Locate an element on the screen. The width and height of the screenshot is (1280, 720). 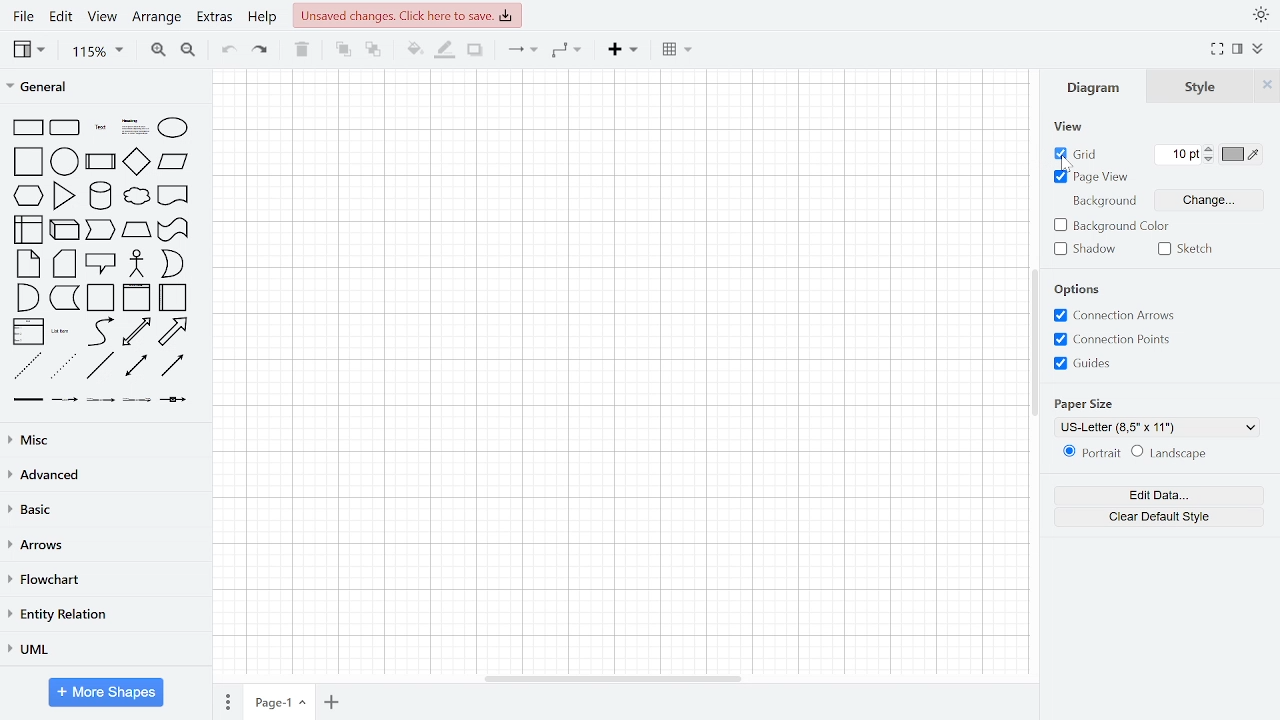
paralellogram is located at coordinates (172, 162).